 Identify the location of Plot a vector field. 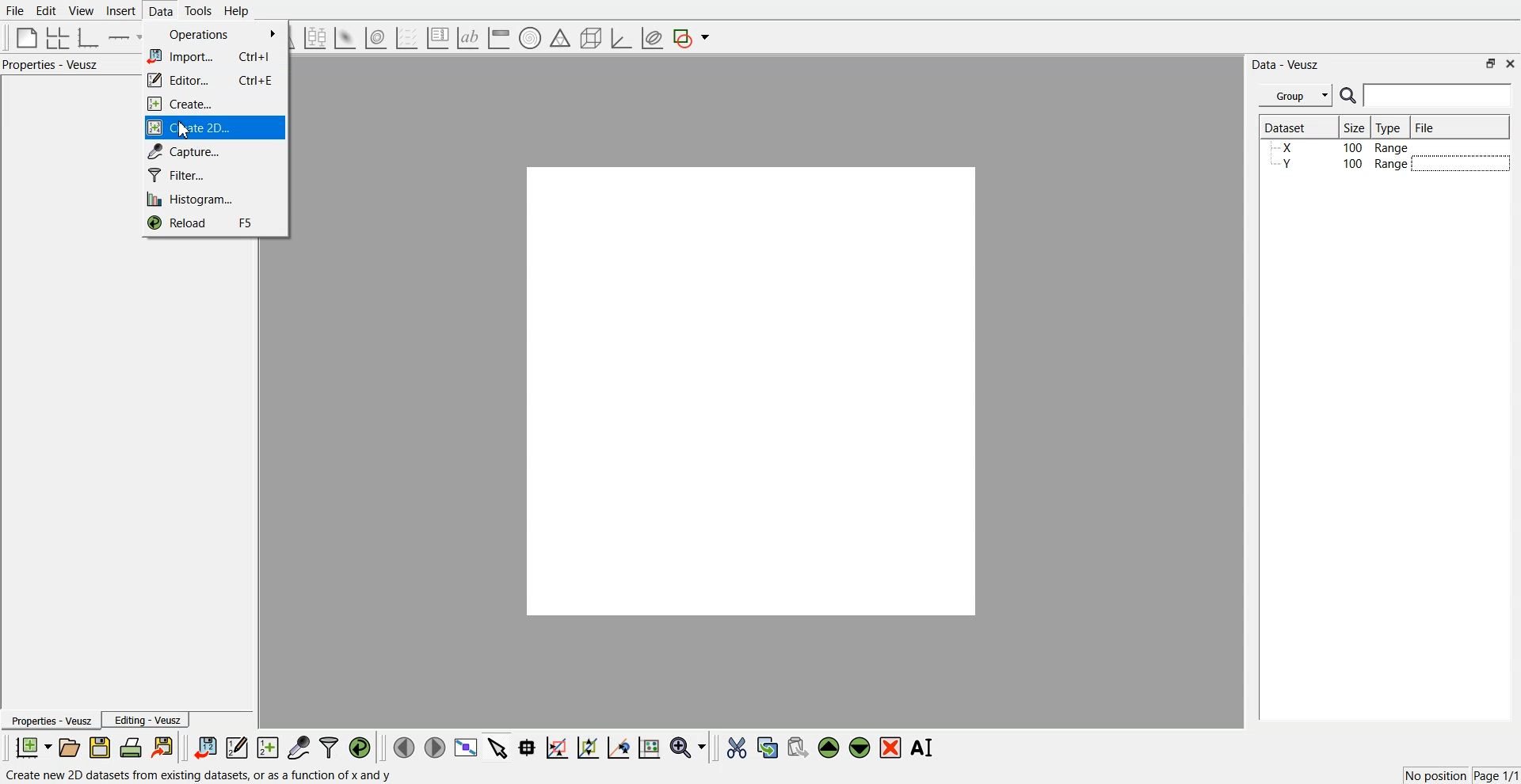
(406, 39).